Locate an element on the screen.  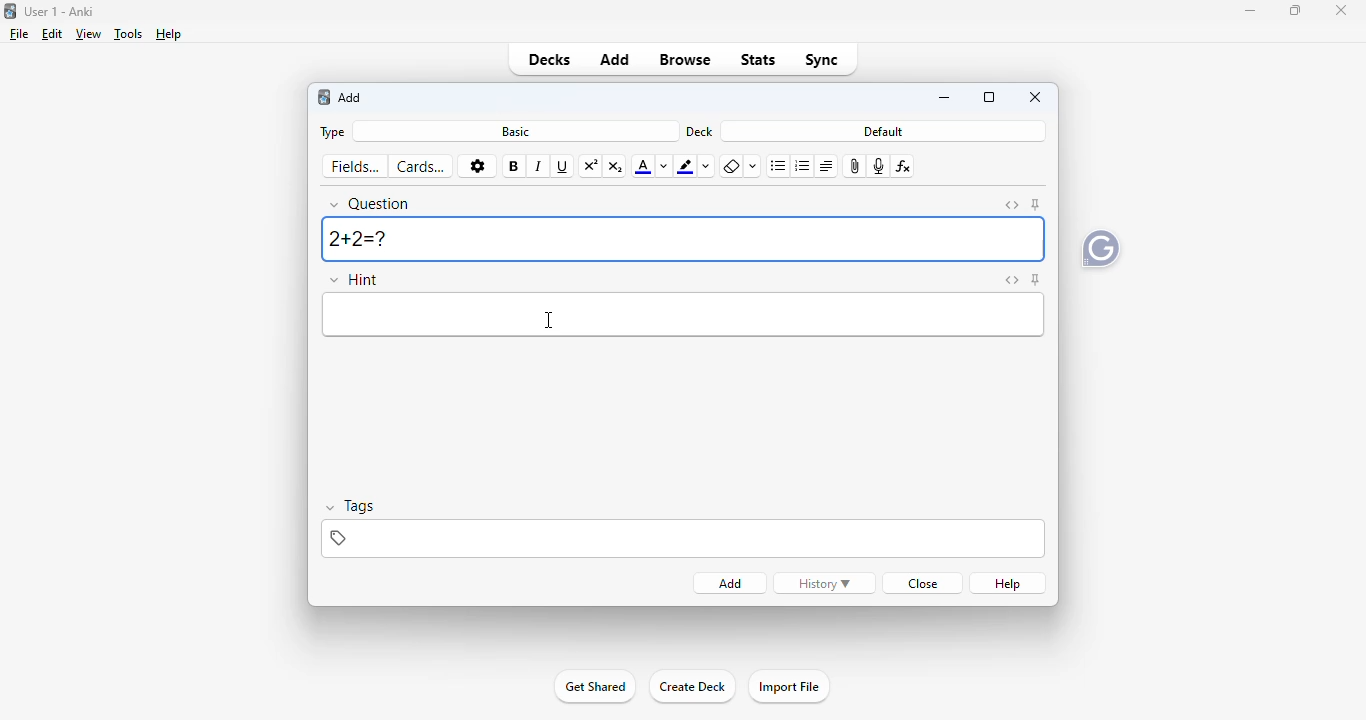
remove formatting is located at coordinates (733, 166).